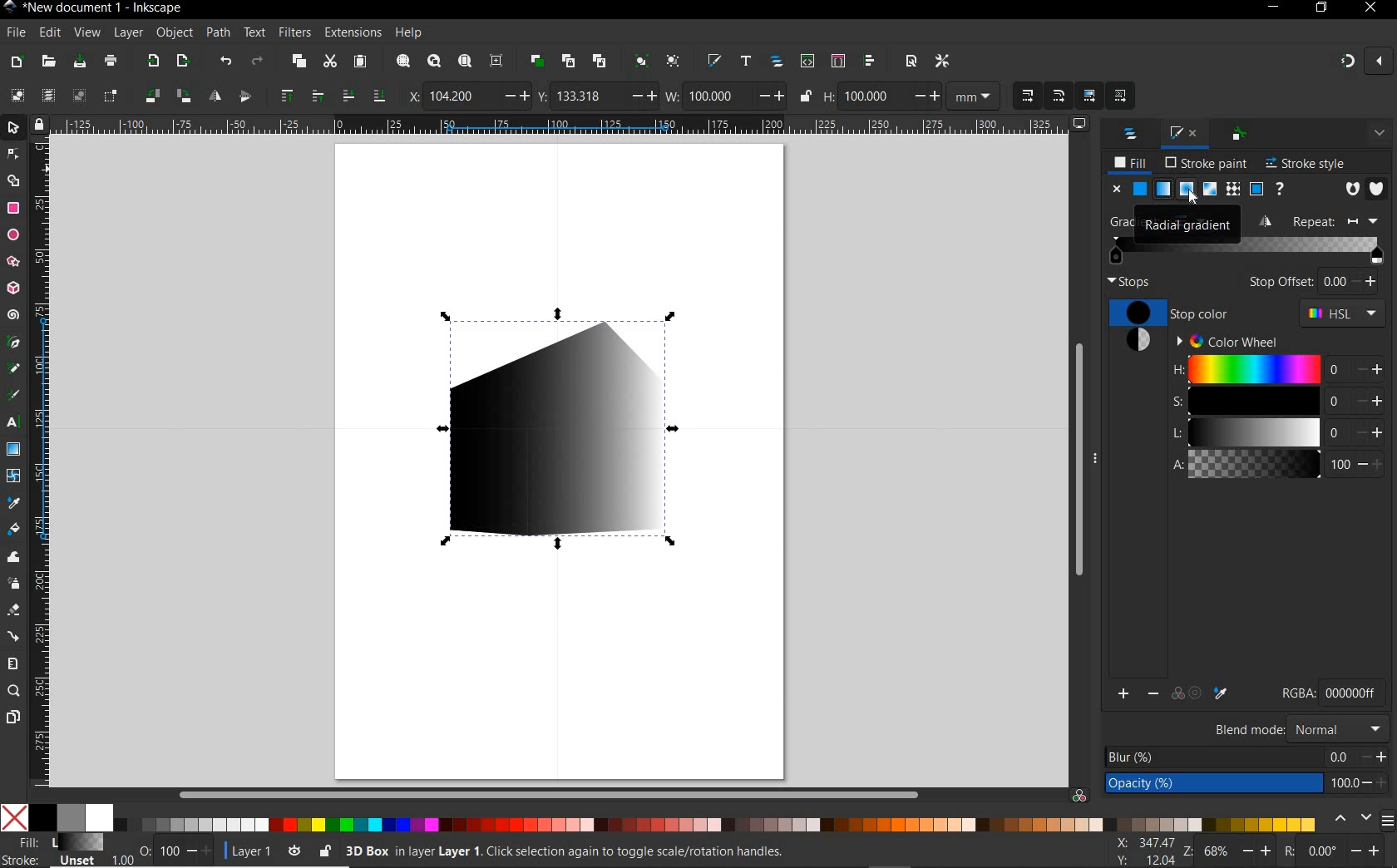 The height and width of the screenshot is (868, 1397). What do you see at coordinates (1388, 820) in the screenshot?
I see `menu` at bounding box center [1388, 820].